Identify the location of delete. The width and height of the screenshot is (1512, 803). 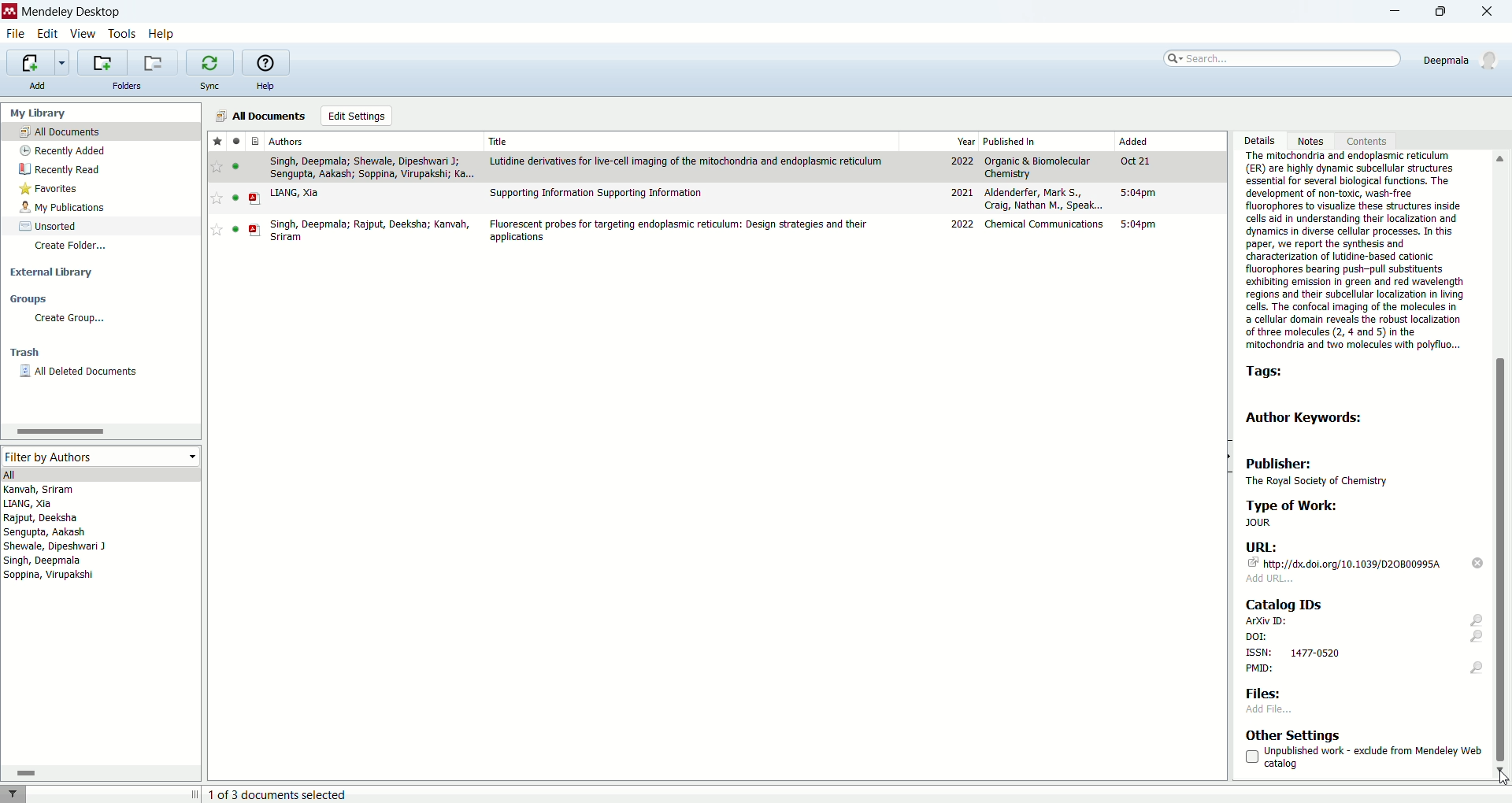
(1479, 563).